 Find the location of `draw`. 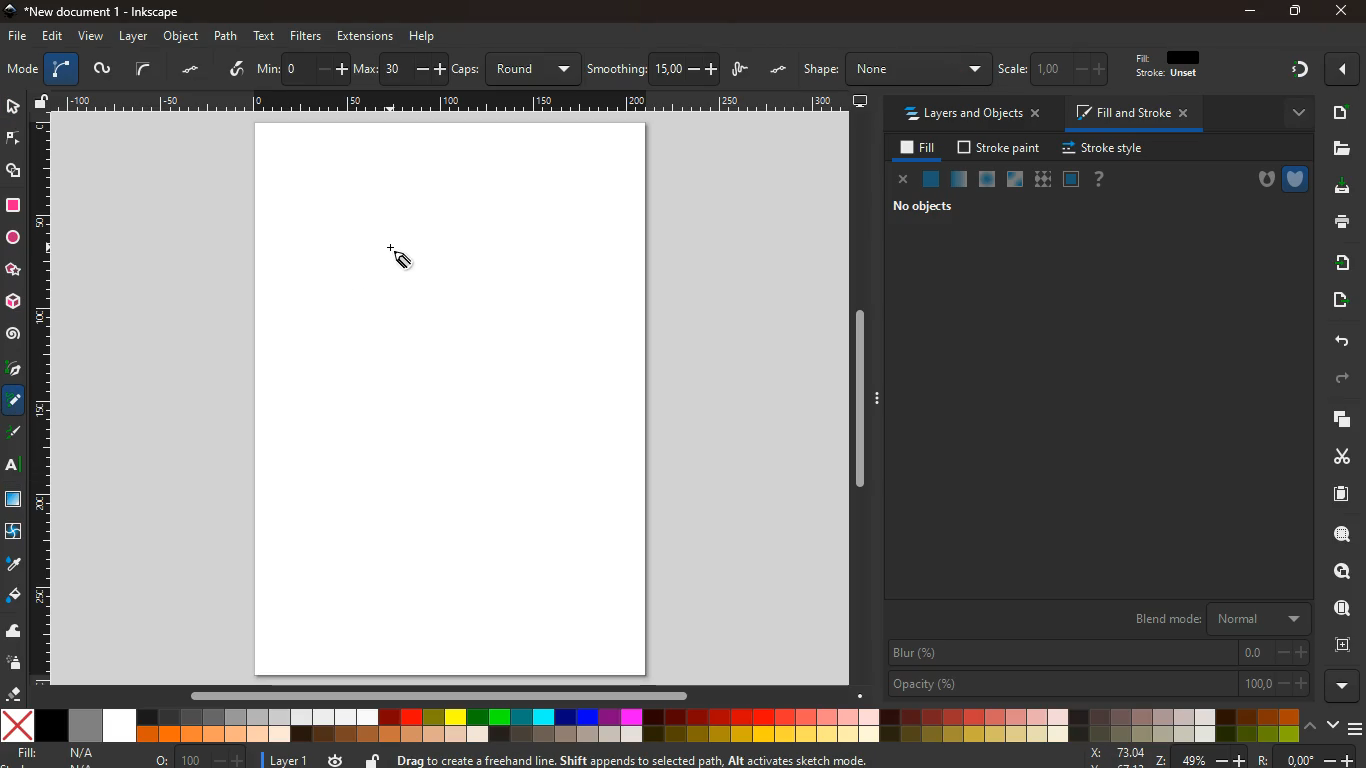

draw is located at coordinates (399, 256).